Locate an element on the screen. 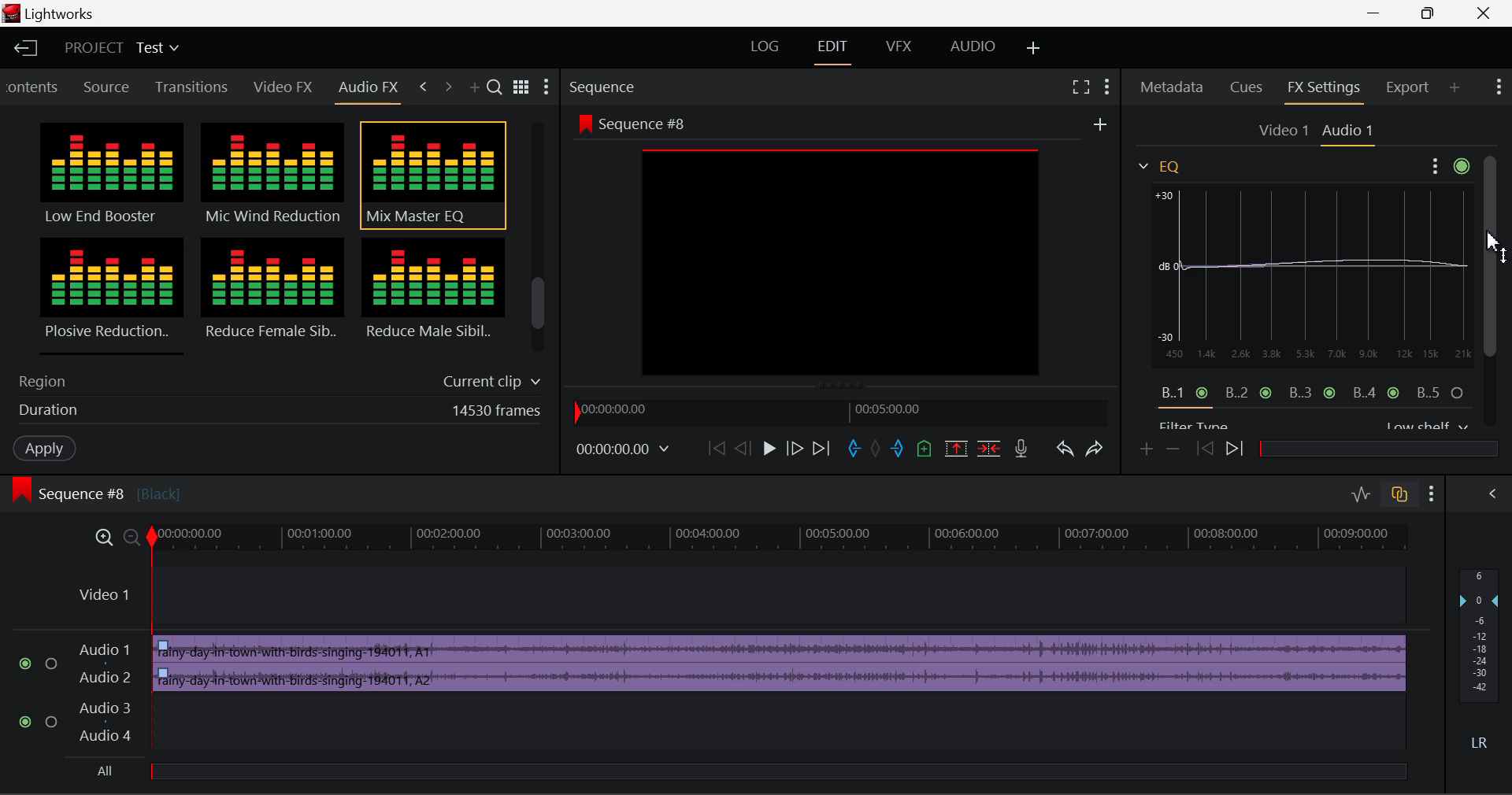 This screenshot has height=795, width=1512. To Start is located at coordinates (715, 449).